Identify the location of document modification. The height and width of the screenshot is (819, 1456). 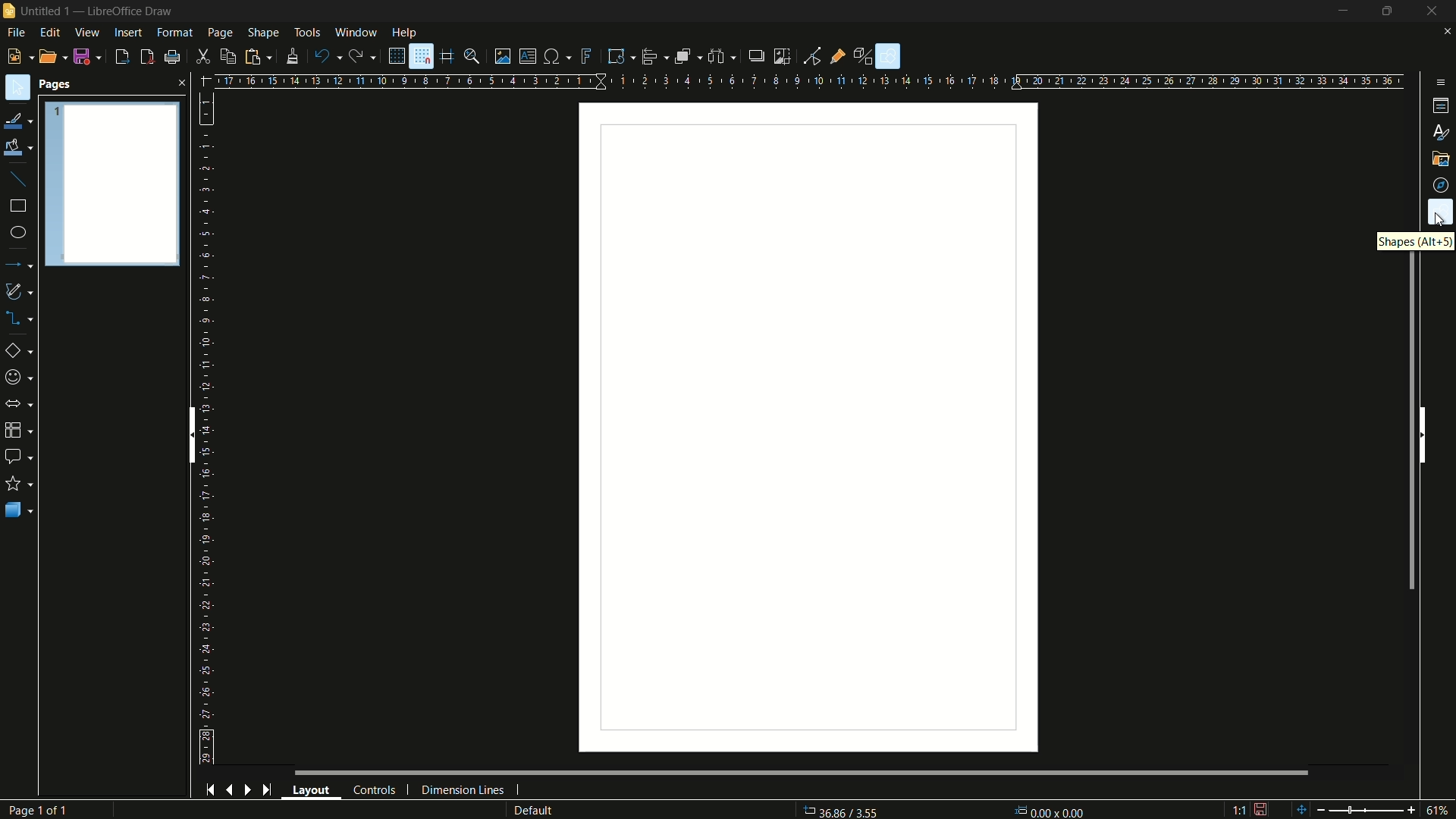
(1261, 808).